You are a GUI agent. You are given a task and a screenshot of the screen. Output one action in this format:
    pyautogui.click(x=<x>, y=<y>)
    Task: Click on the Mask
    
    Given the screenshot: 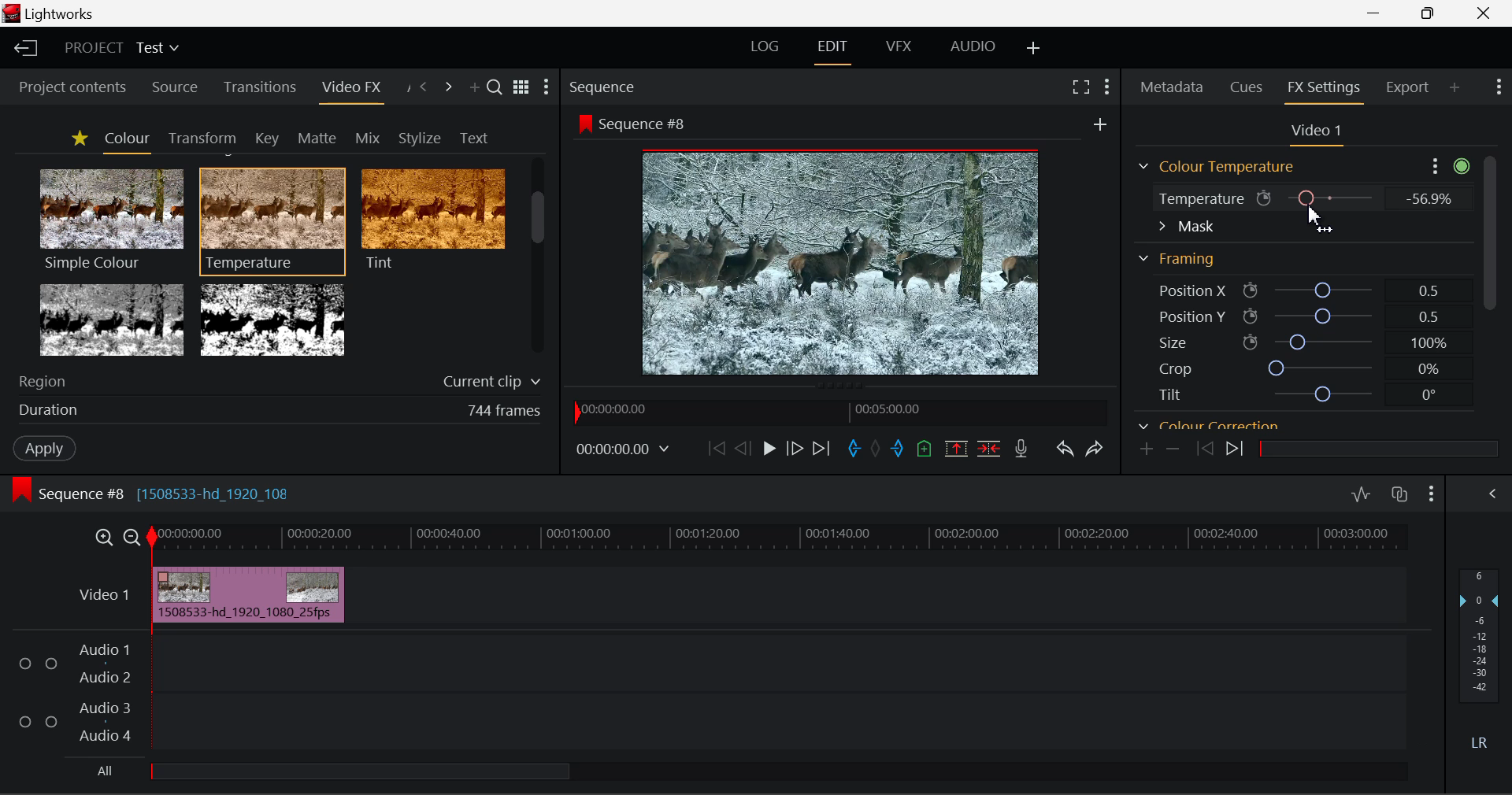 What is the action you would take?
    pyautogui.click(x=1187, y=227)
    